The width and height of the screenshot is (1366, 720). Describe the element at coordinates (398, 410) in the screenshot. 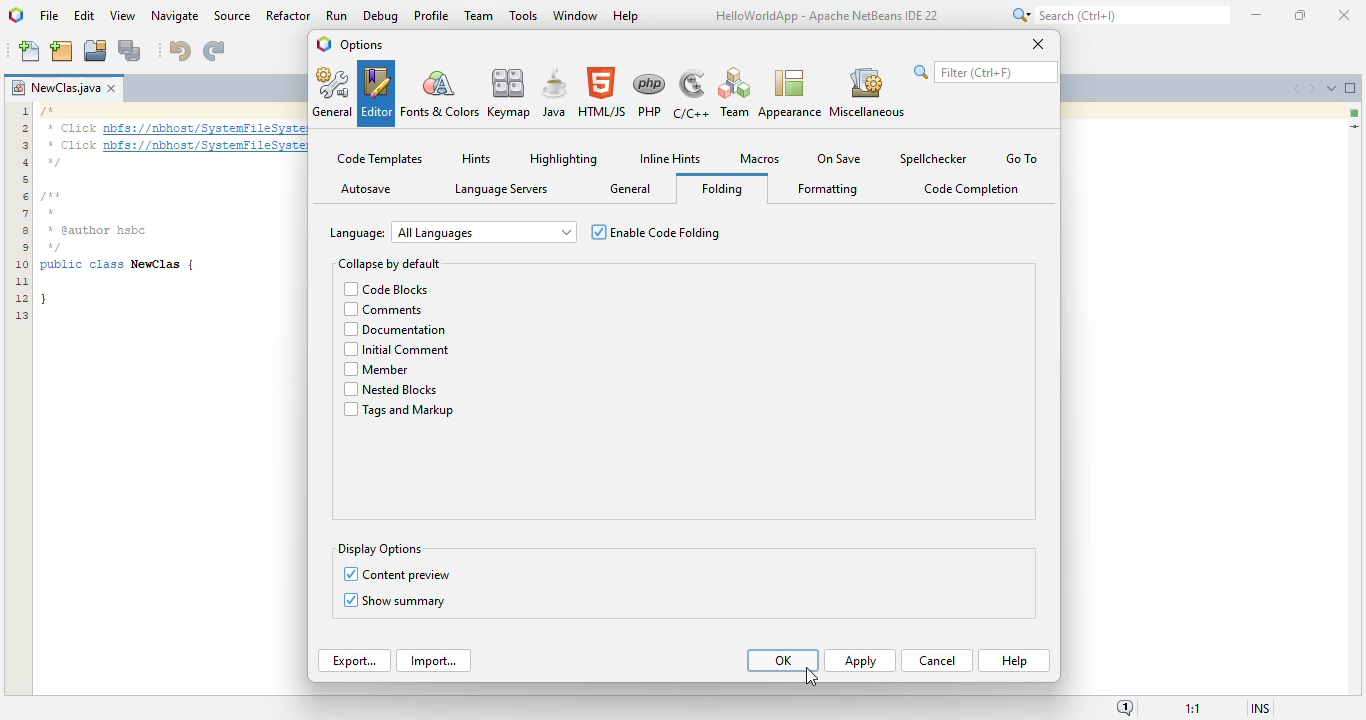

I see `tags and markup` at that location.